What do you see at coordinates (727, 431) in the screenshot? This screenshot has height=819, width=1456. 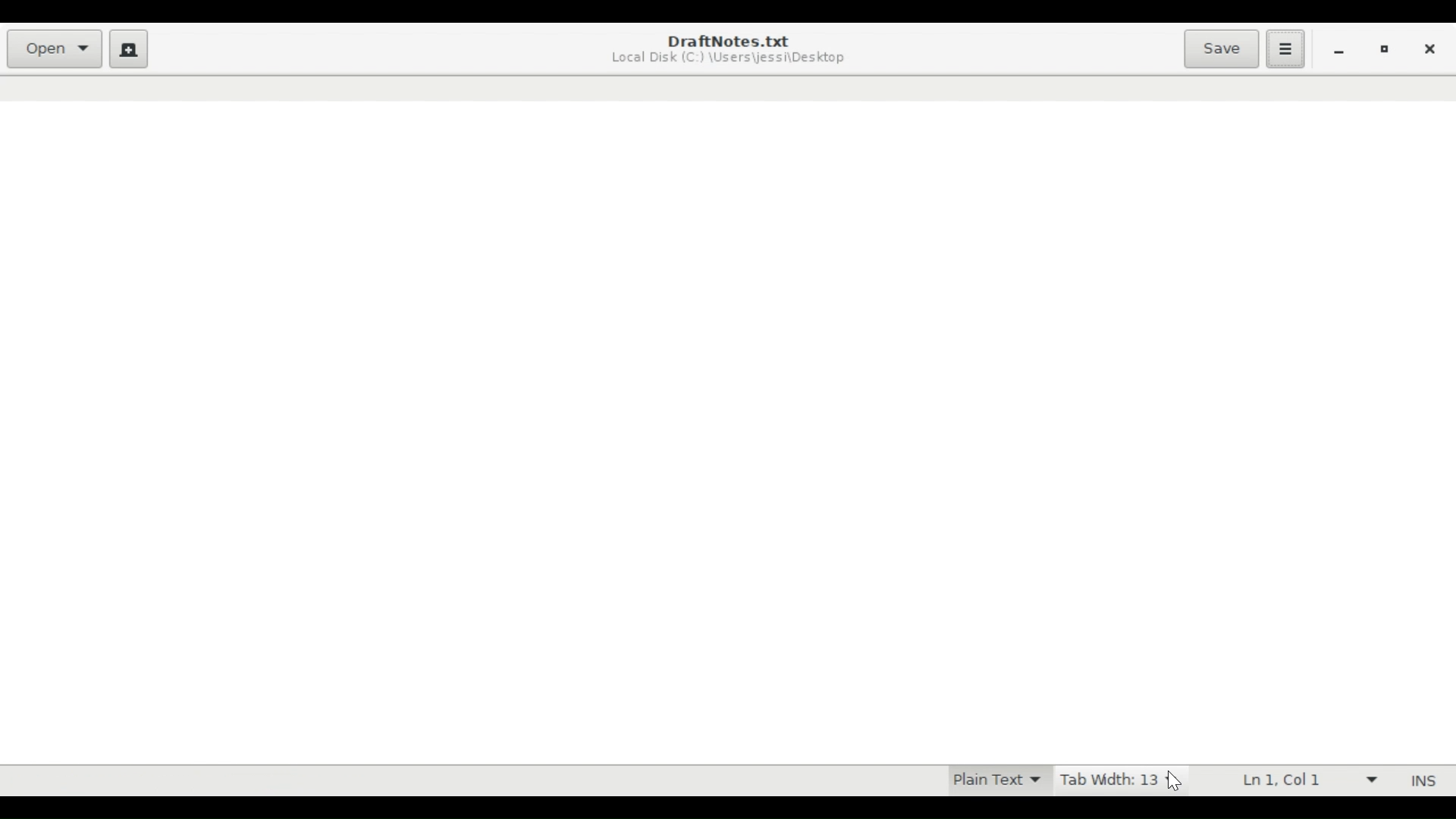 I see `Text input` at bounding box center [727, 431].